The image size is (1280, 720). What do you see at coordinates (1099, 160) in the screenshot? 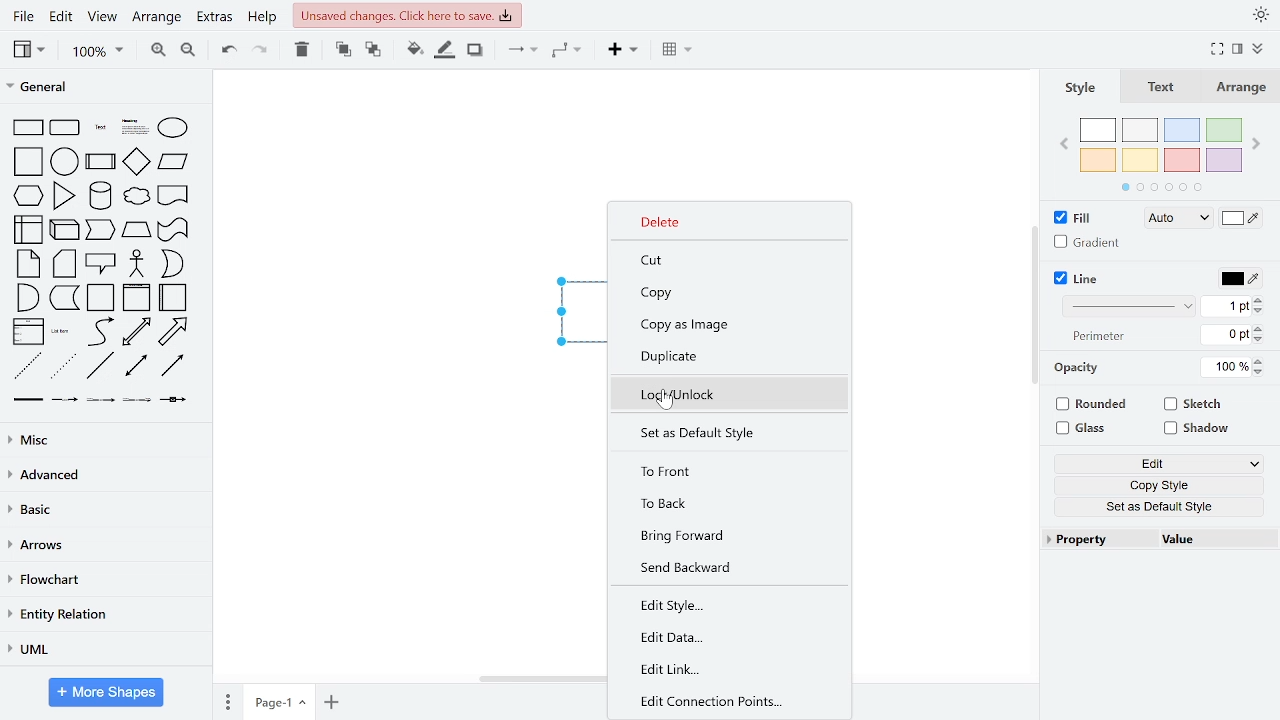
I see `orange` at bounding box center [1099, 160].